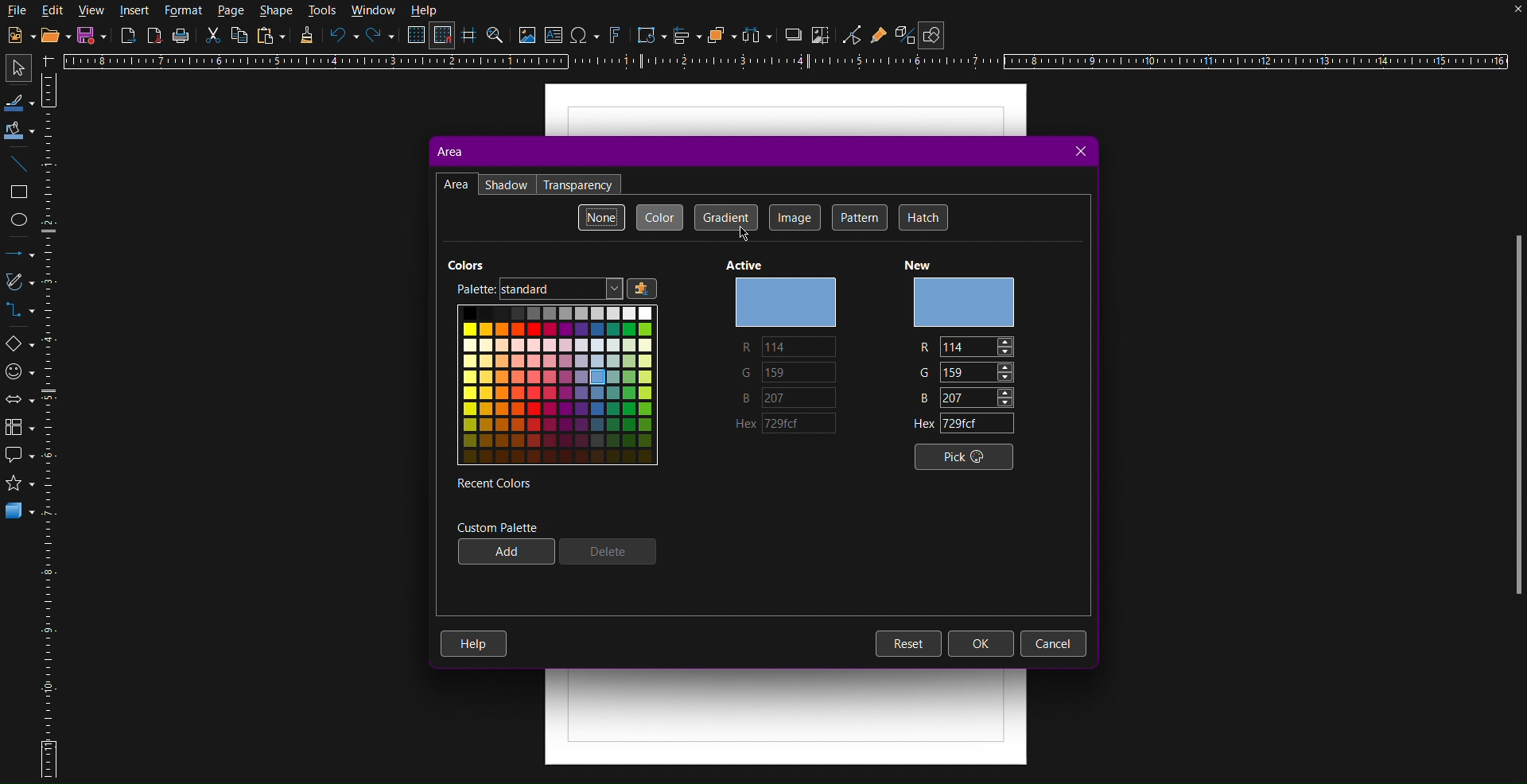 The height and width of the screenshot is (784, 1527). I want to click on Page, so click(232, 12).